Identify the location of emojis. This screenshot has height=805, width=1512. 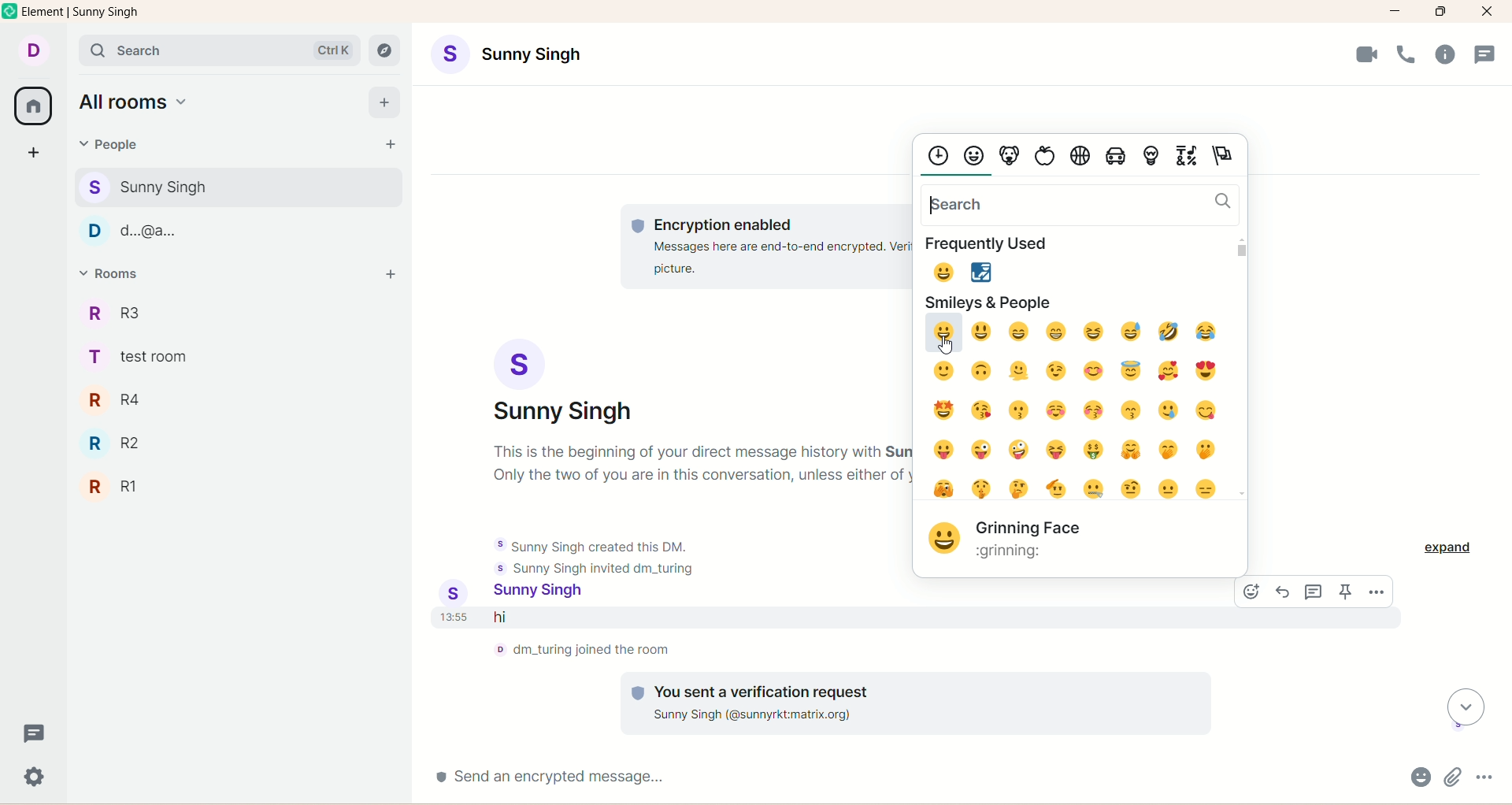
(1251, 592).